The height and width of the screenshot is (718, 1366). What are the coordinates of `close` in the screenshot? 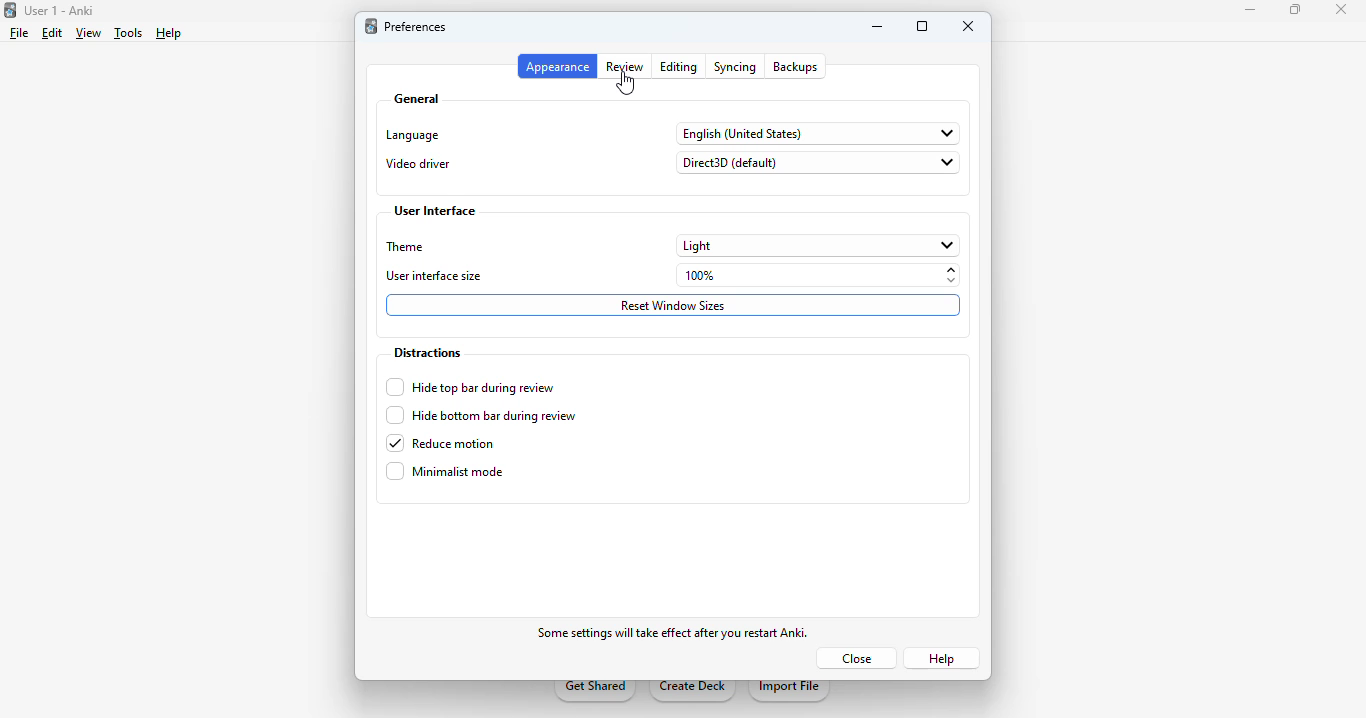 It's located at (862, 658).